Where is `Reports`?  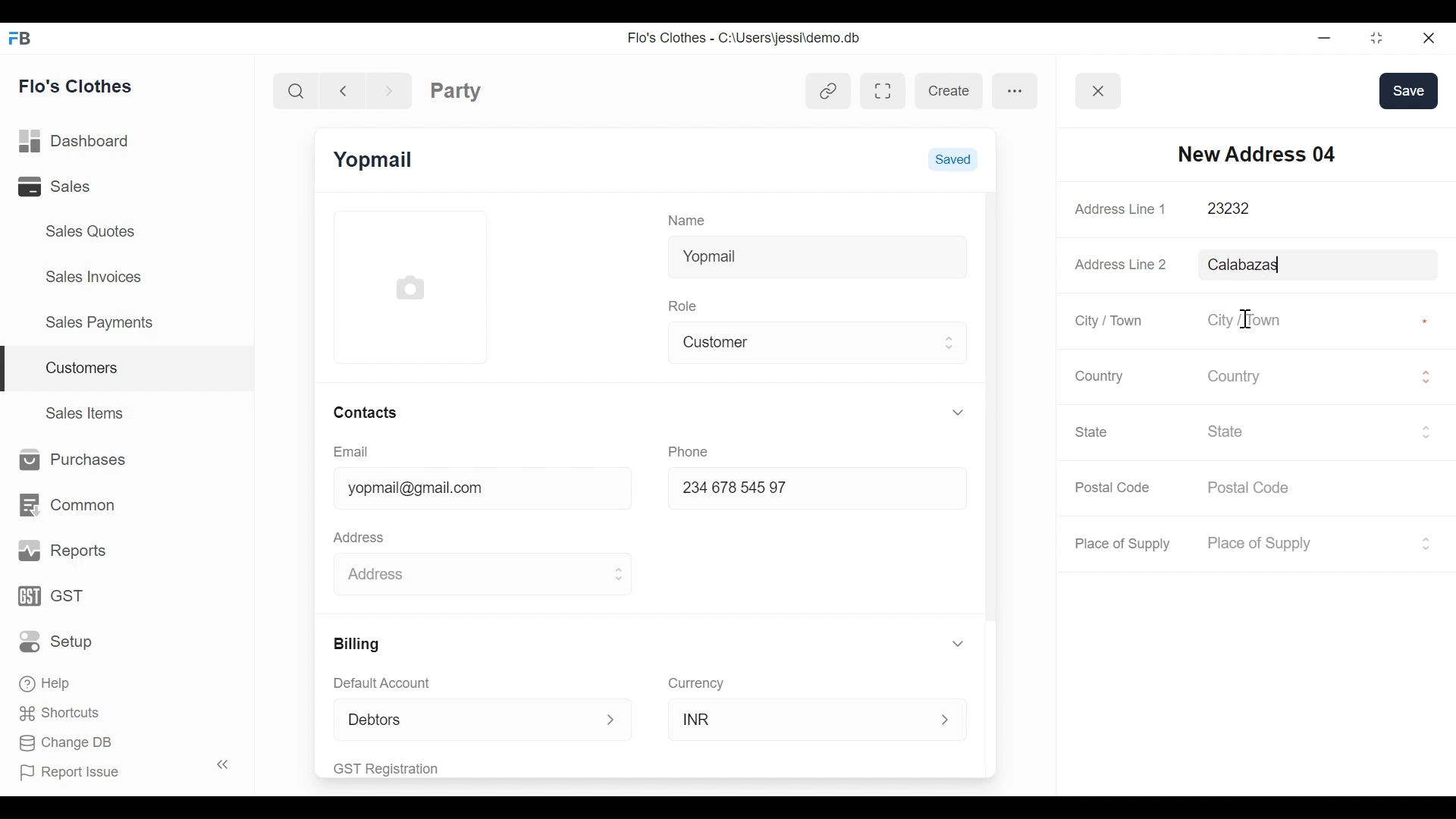
Reports is located at coordinates (64, 551).